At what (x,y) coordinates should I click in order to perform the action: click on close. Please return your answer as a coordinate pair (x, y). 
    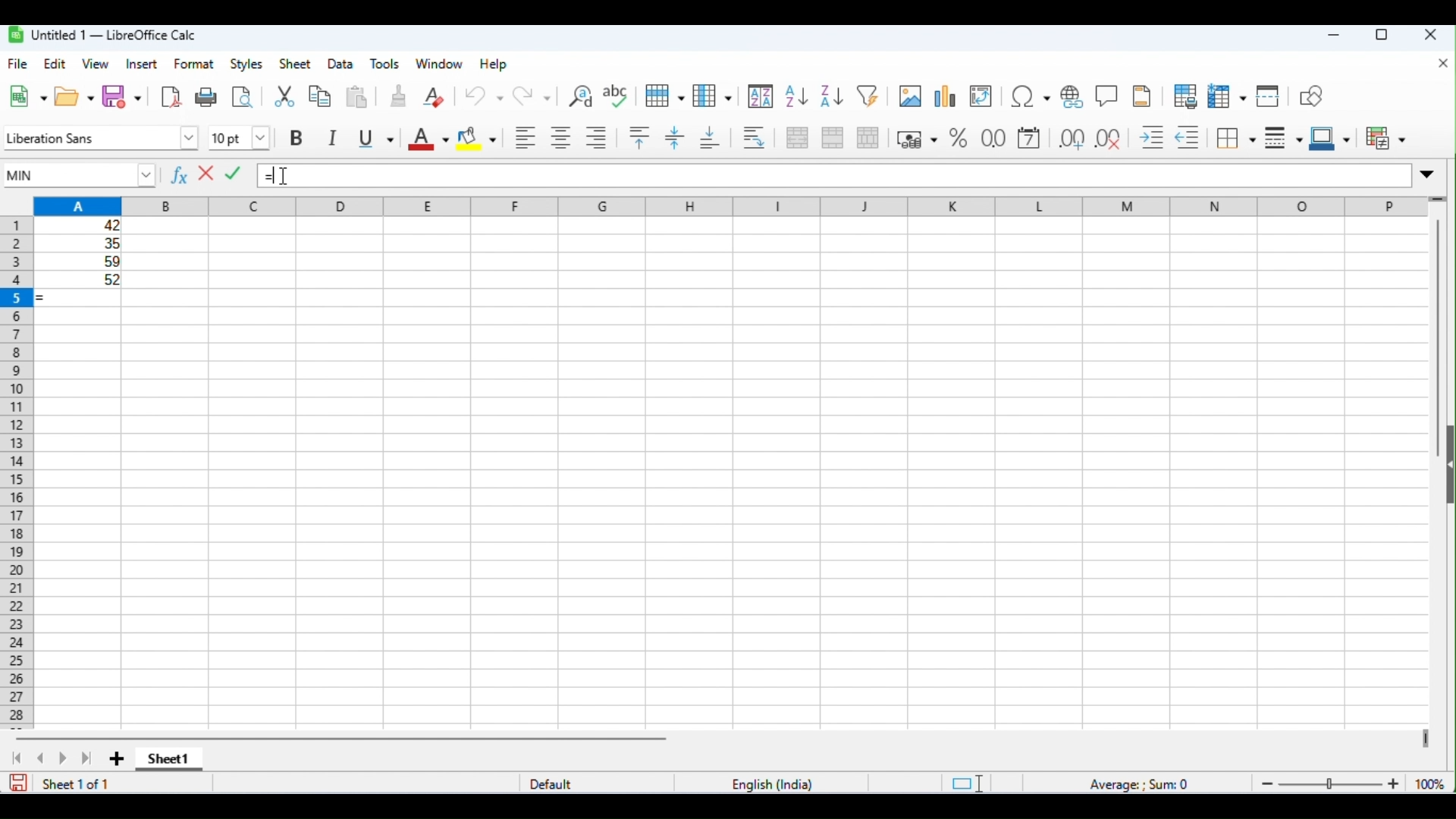
    Looking at the image, I should click on (1430, 35).